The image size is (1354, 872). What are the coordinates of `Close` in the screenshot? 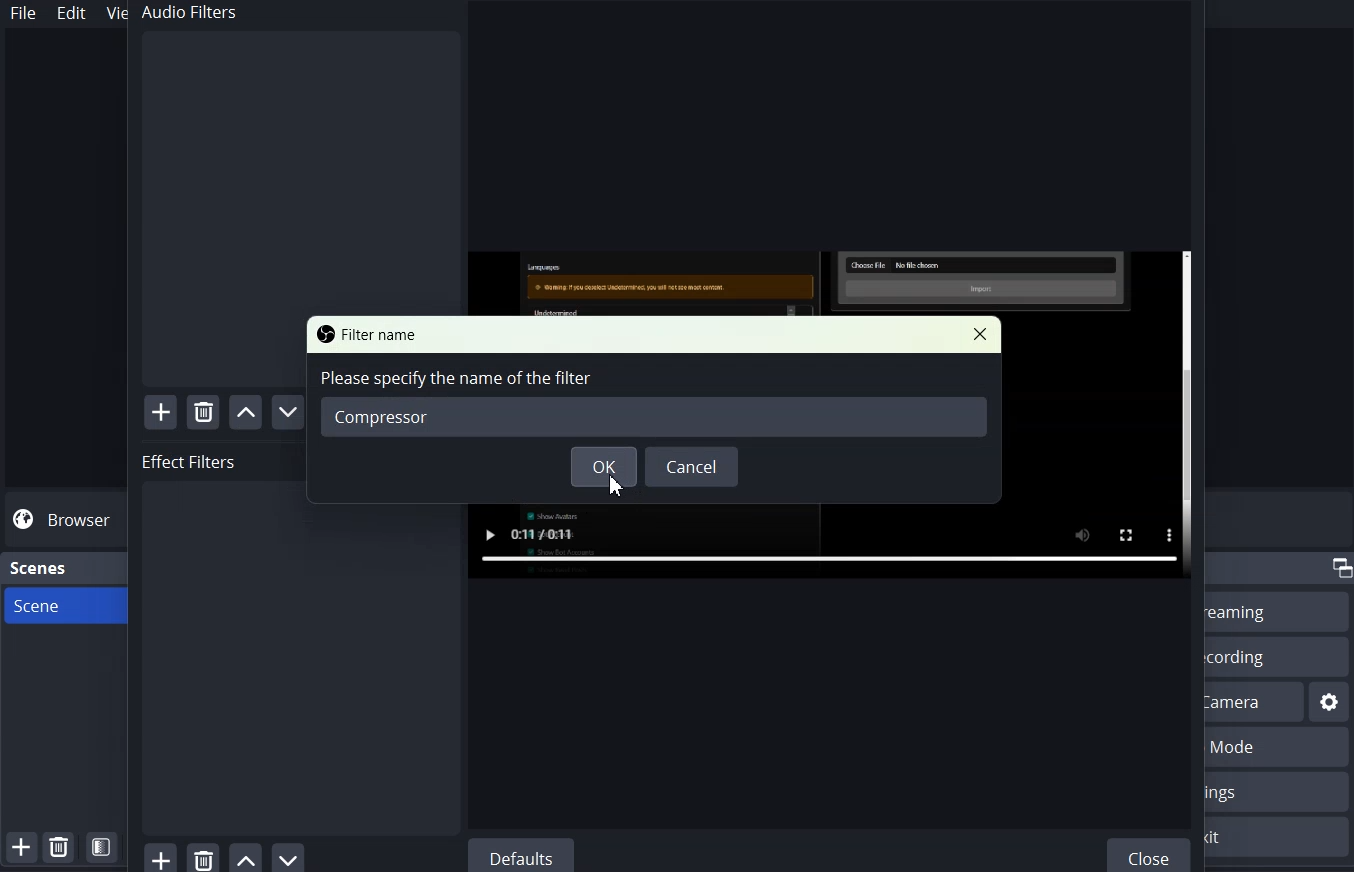 It's located at (979, 334).